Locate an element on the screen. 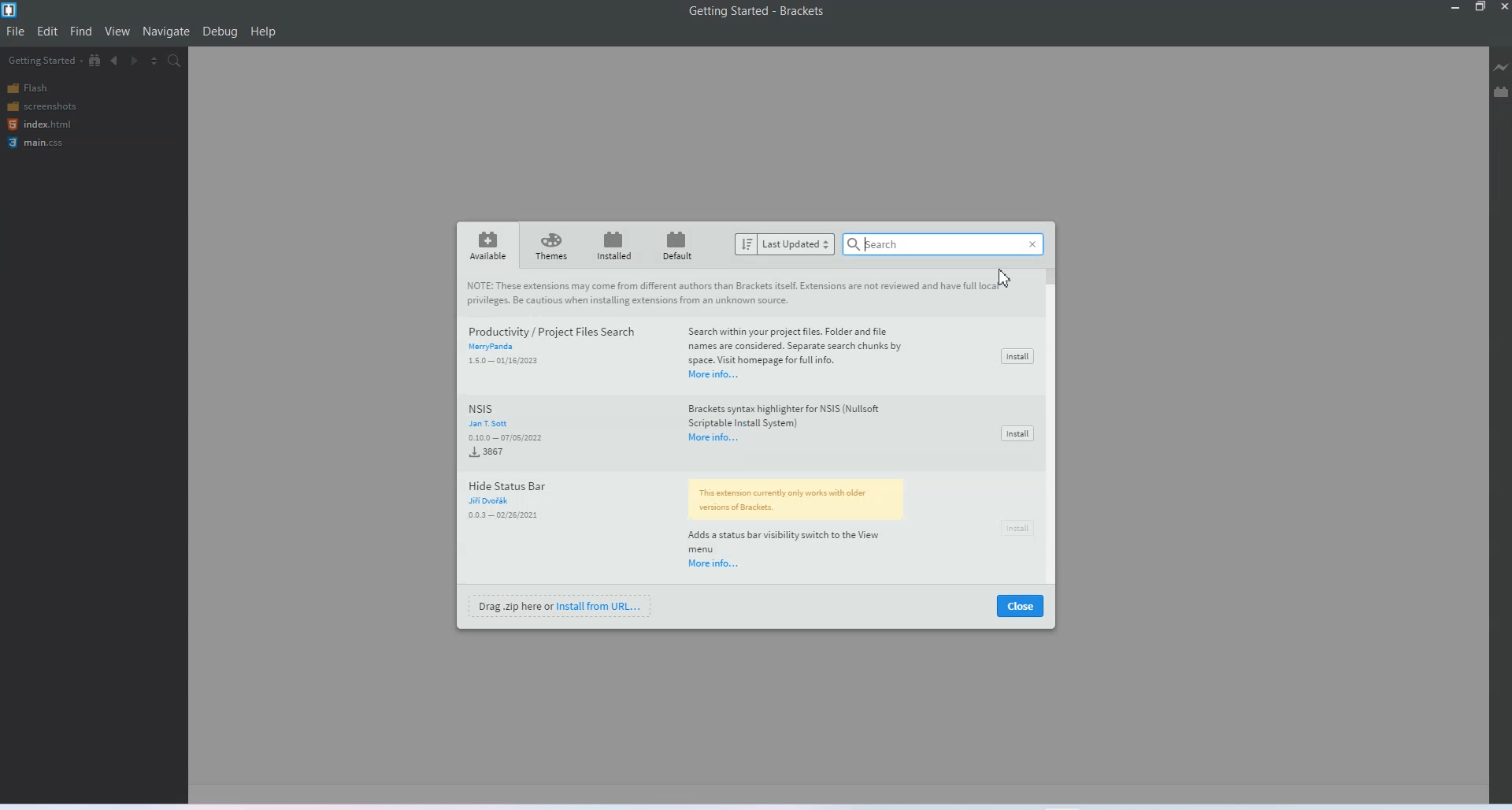 This screenshot has width=1512, height=810. Download kbs is located at coordinates (507, 448).